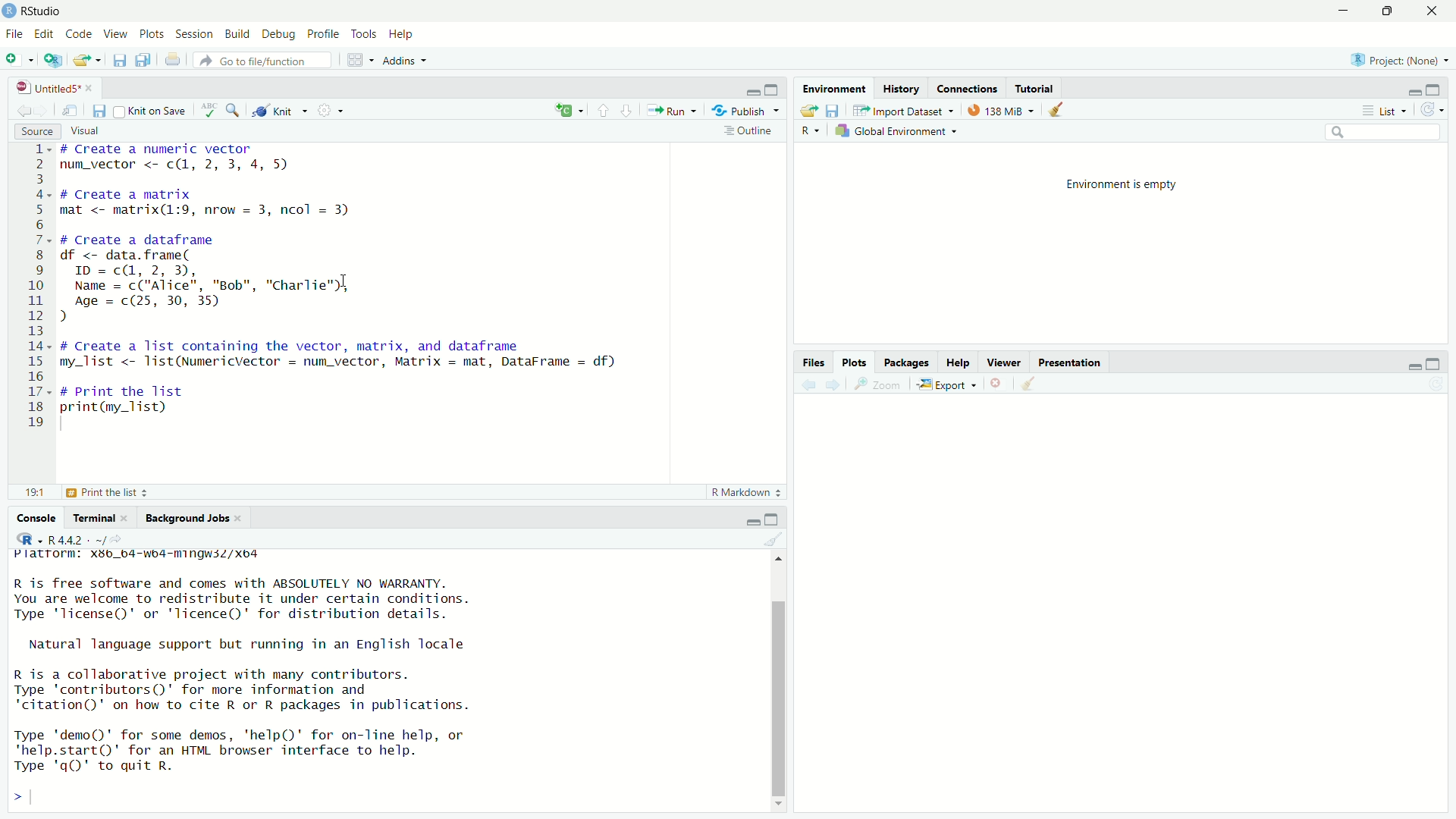  What do you see at coordinates (1125, 182) in the screenshot?
I see `Environment is empty` at bounding box center [1125, 182].